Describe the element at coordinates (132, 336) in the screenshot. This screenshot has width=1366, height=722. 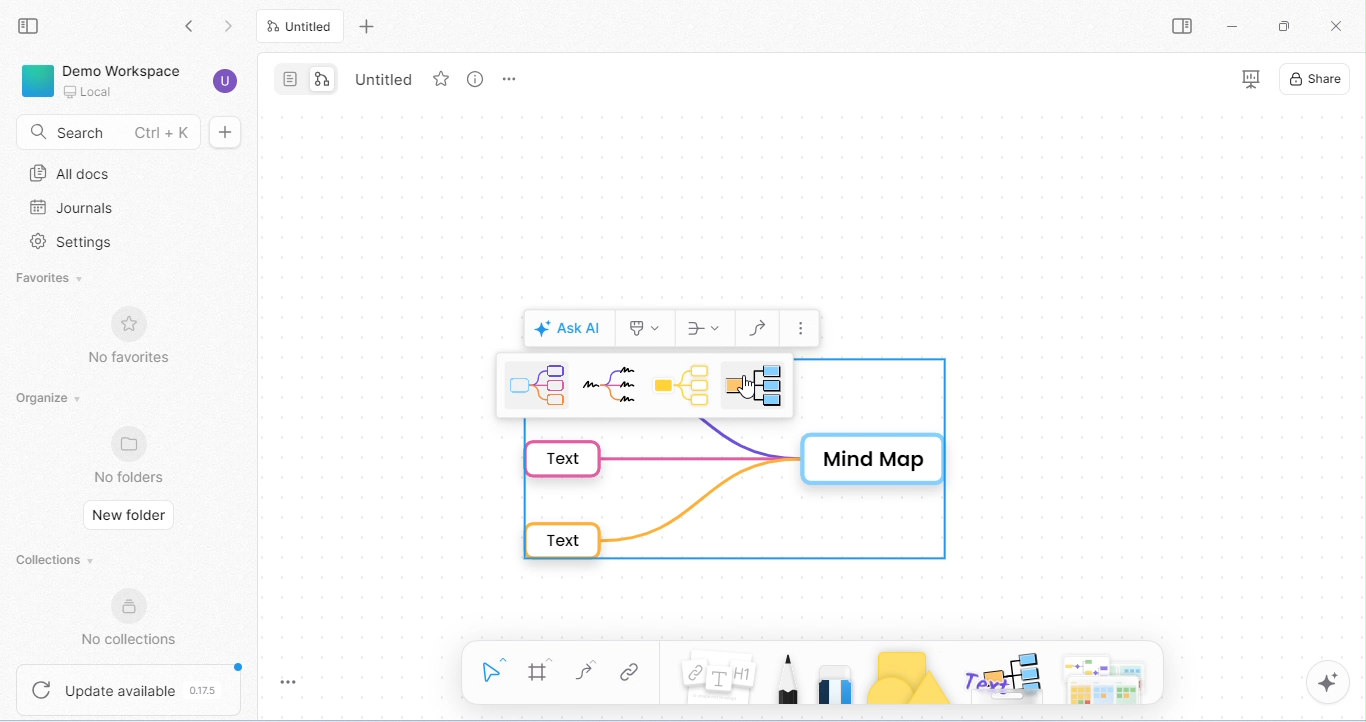
I see `no favorites` at that location.